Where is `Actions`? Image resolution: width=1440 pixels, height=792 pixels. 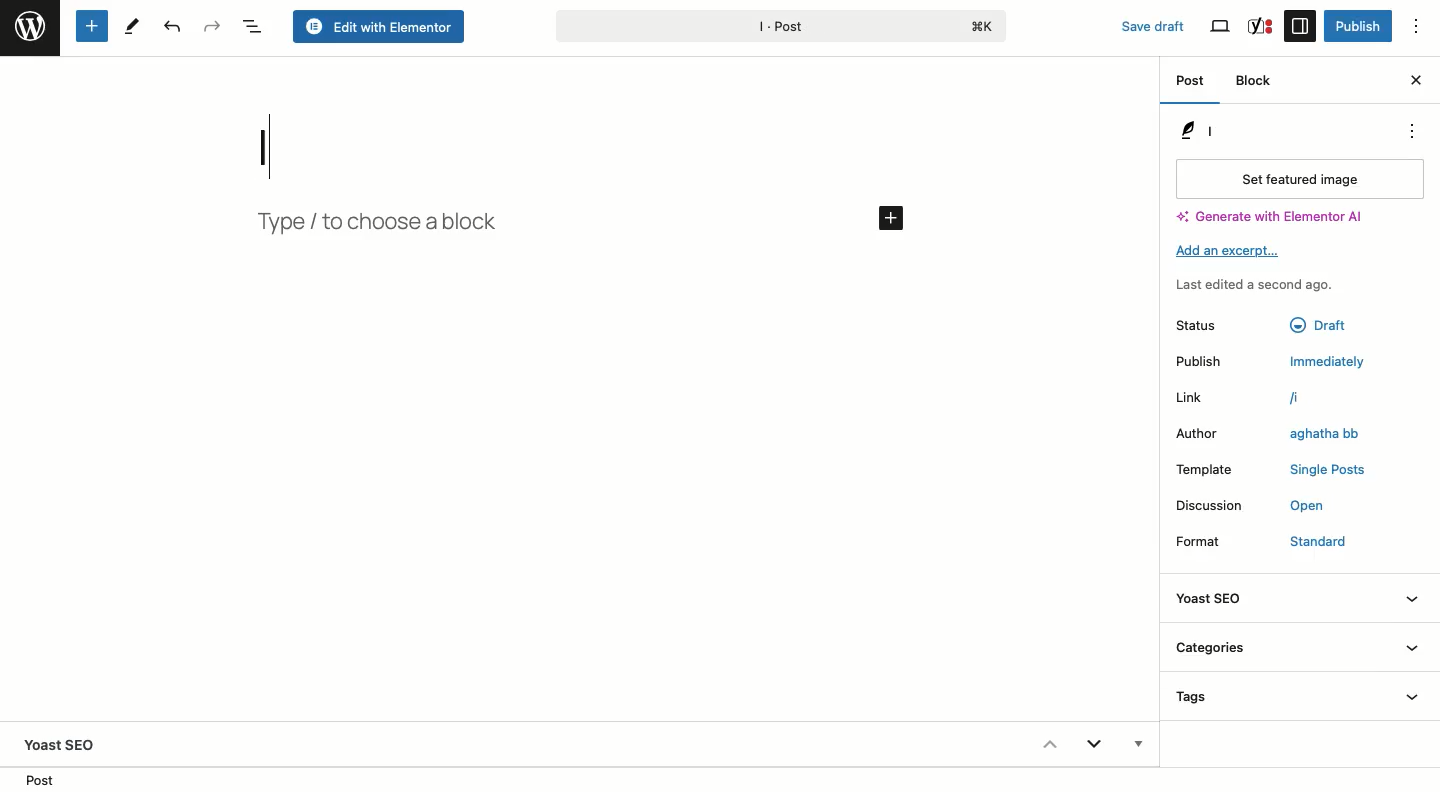 Actions is located at coordinates (1408, 131).